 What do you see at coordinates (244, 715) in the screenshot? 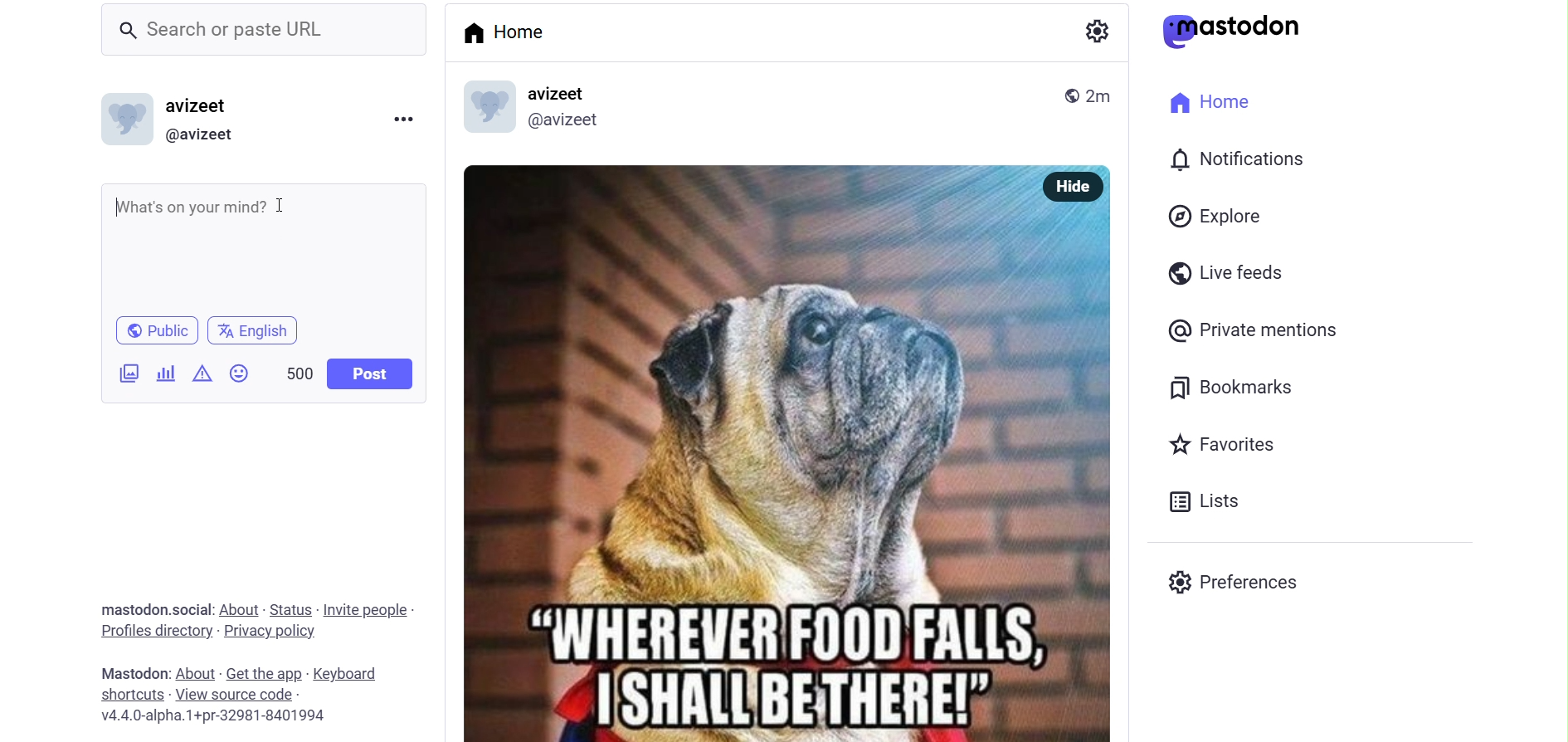
I see `v4.4.0-alpha.1+pr-32981-8401994` at bounding box center [244, 715].